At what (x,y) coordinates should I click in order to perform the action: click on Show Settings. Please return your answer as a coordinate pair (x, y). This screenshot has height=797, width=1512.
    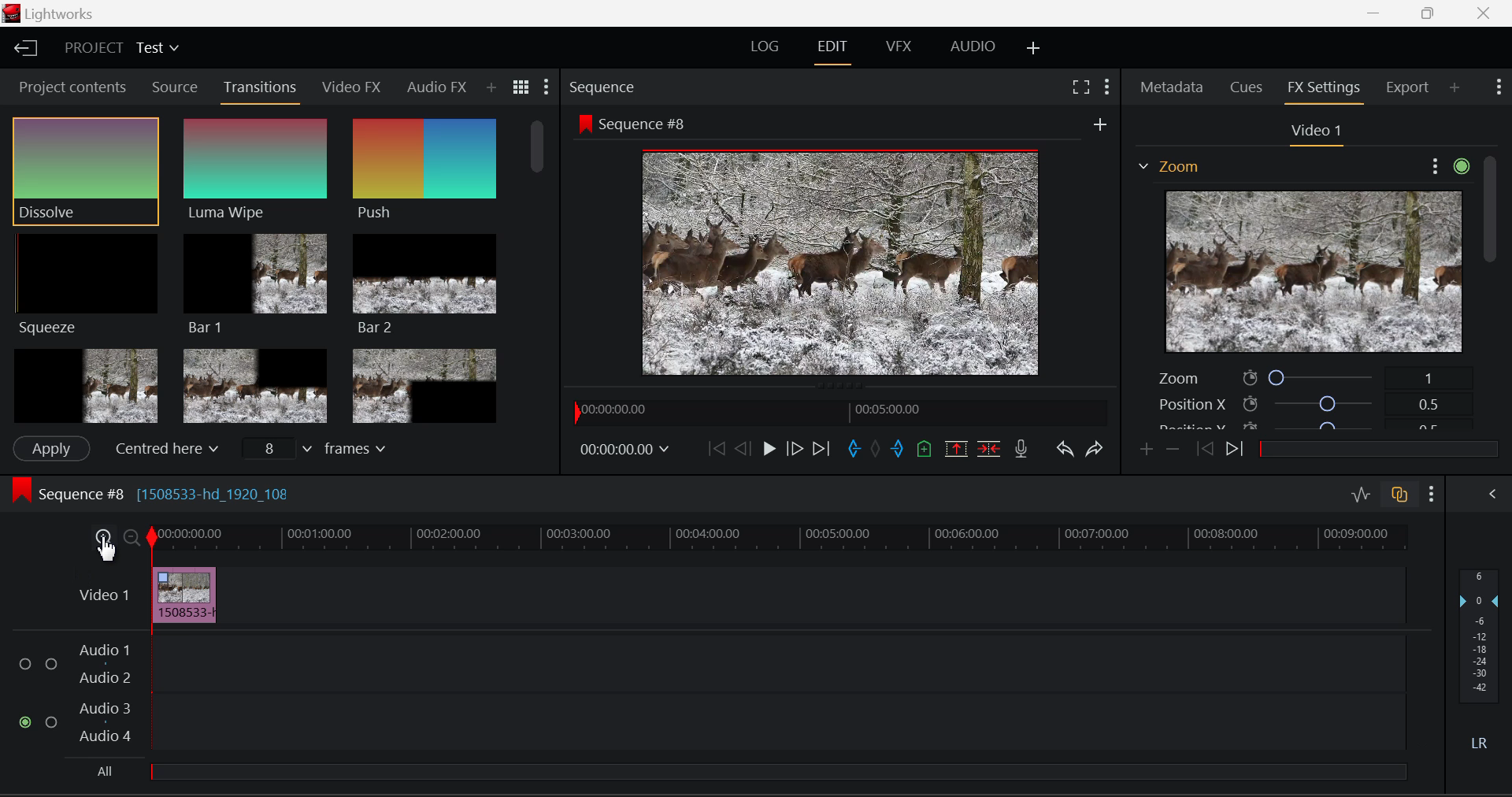
    Looking at the image, I should click on (1450, 168).